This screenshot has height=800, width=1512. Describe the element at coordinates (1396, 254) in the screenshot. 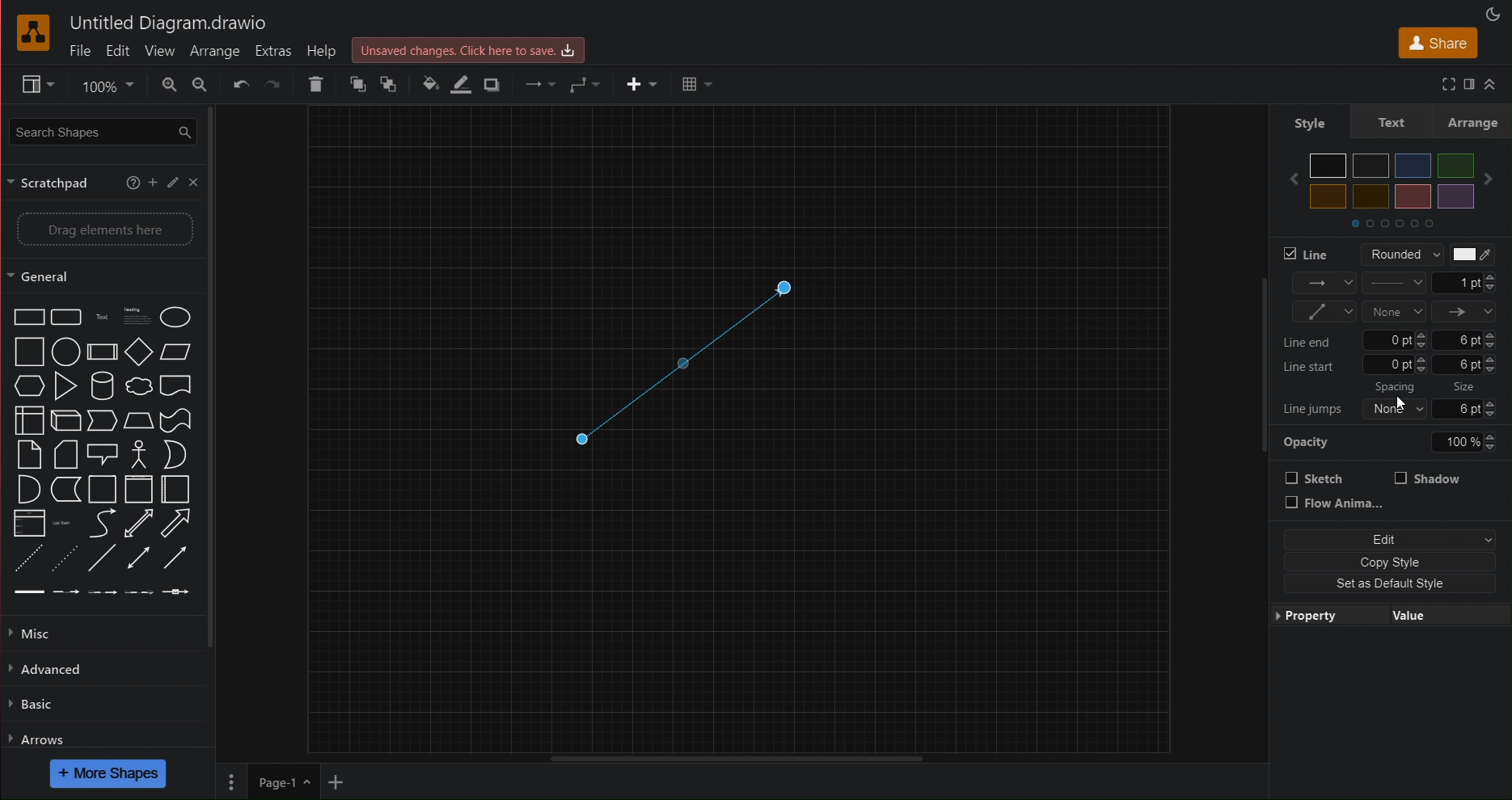

I see `Rounded` at that location.